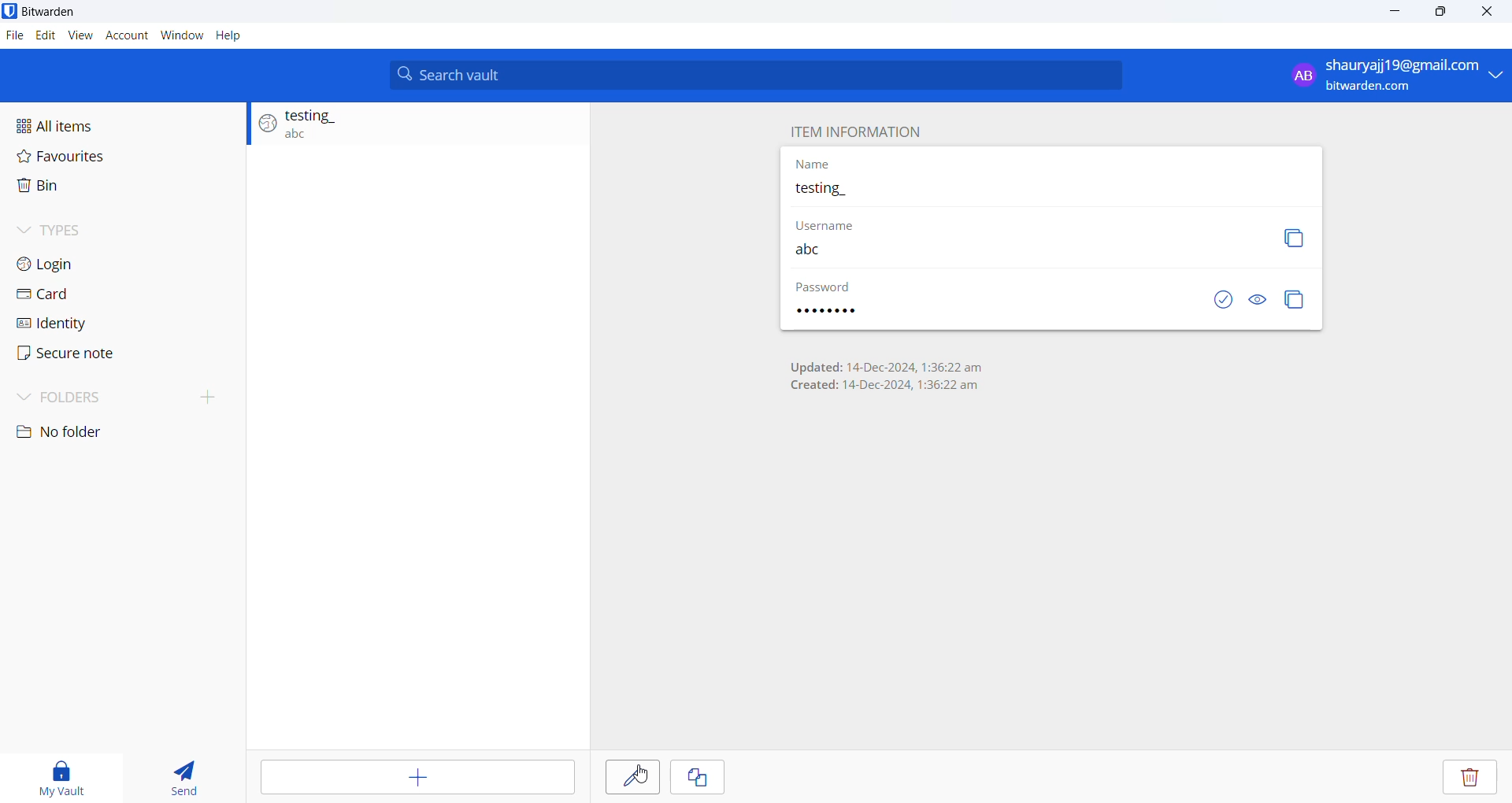  Describe the element at coordinates (125, 34) in the screenshot. I see `Account` at that location.